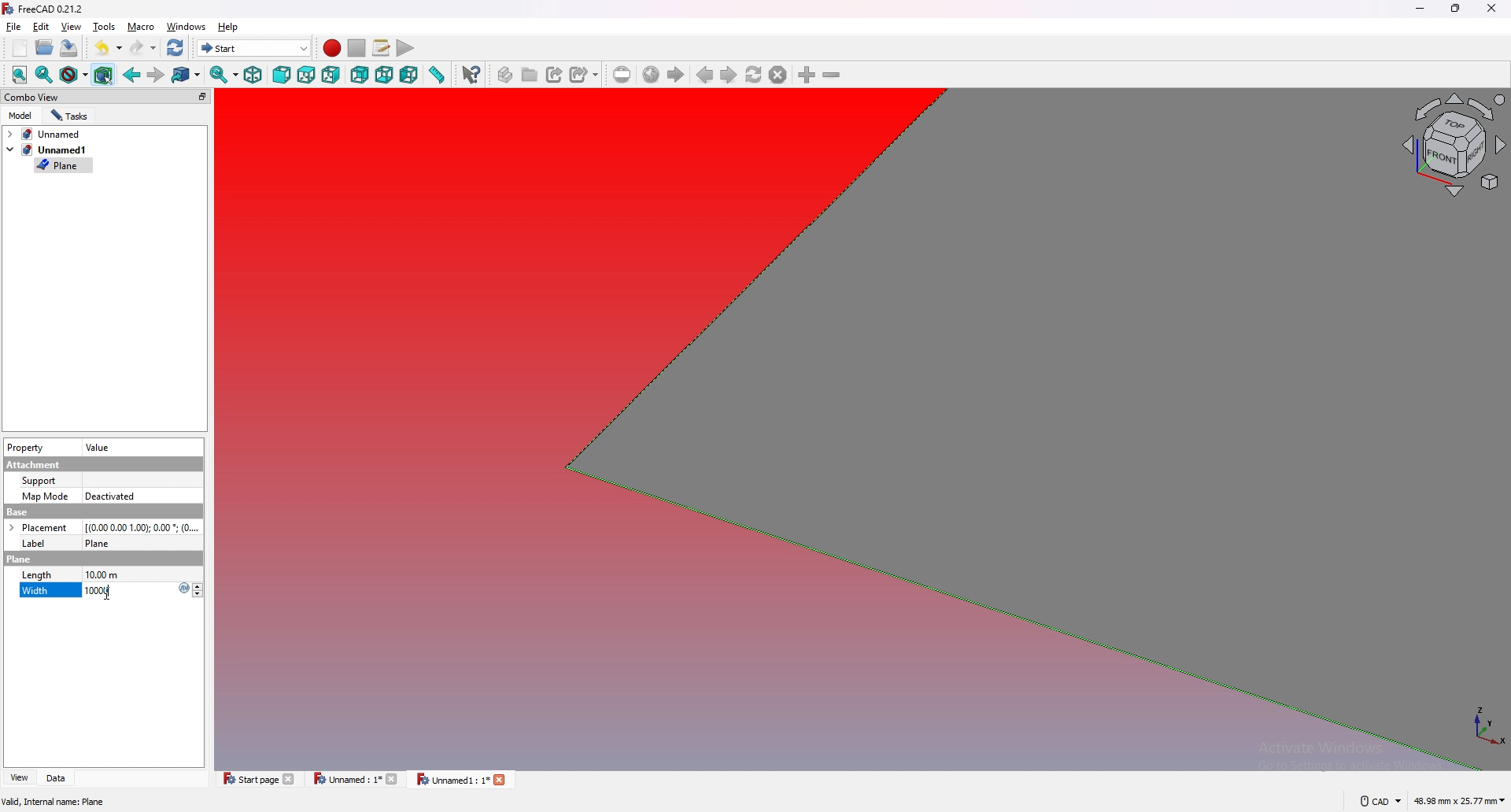 The width and height of the screenshot is (1511, 812). I want to click on property, so click(25, 448).